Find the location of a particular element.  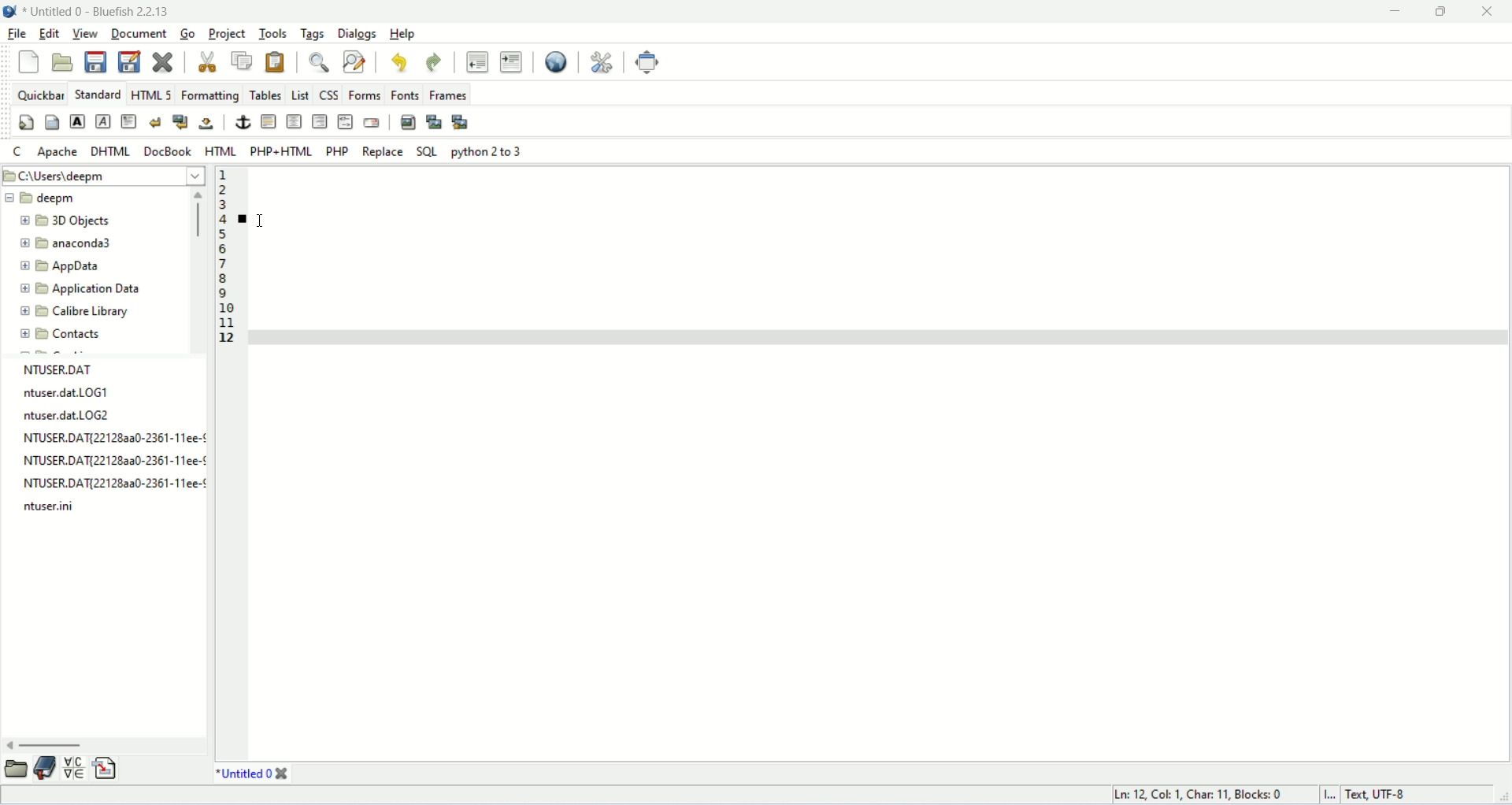

tags is located at coordinates (314, 35).